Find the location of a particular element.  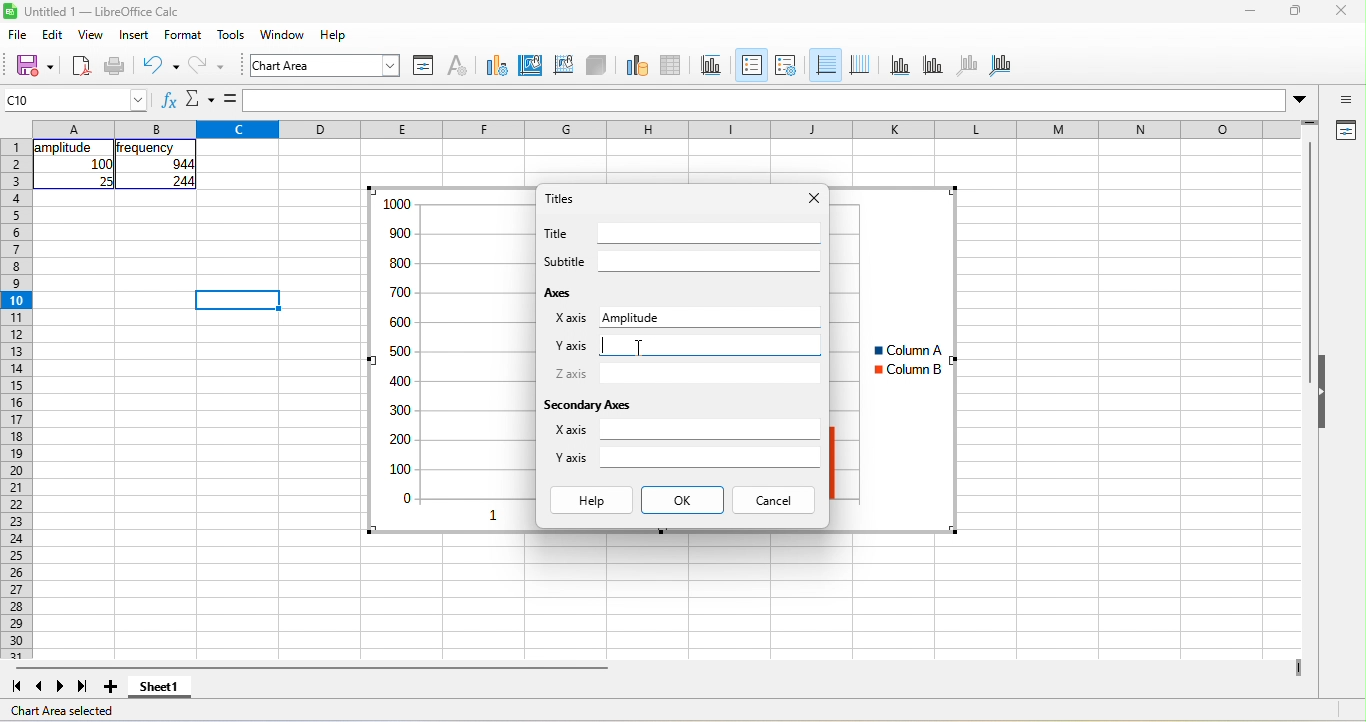

Function options is located at coordinates (200, 99).